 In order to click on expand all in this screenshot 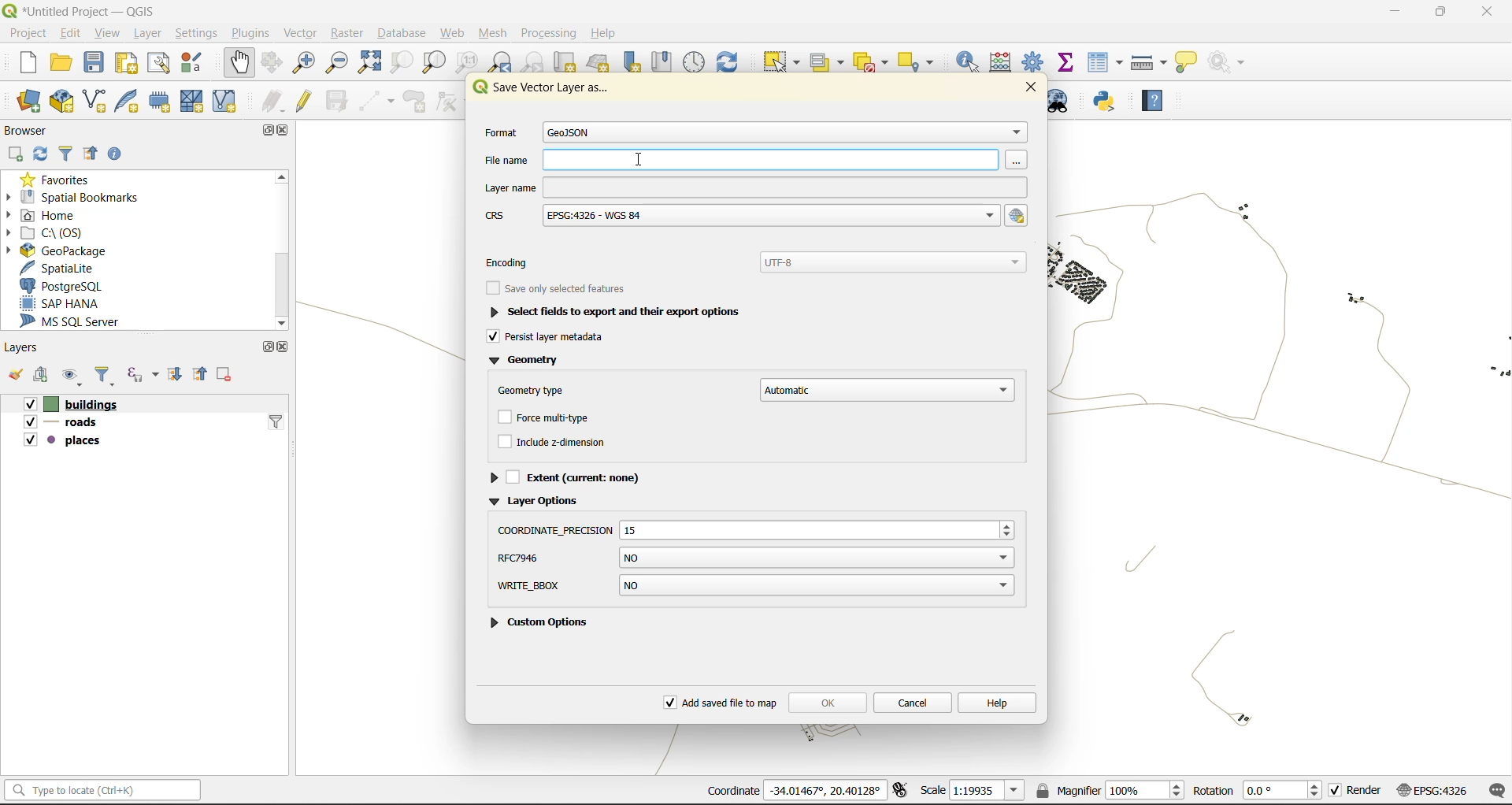, I will do `click(180, 375)`.